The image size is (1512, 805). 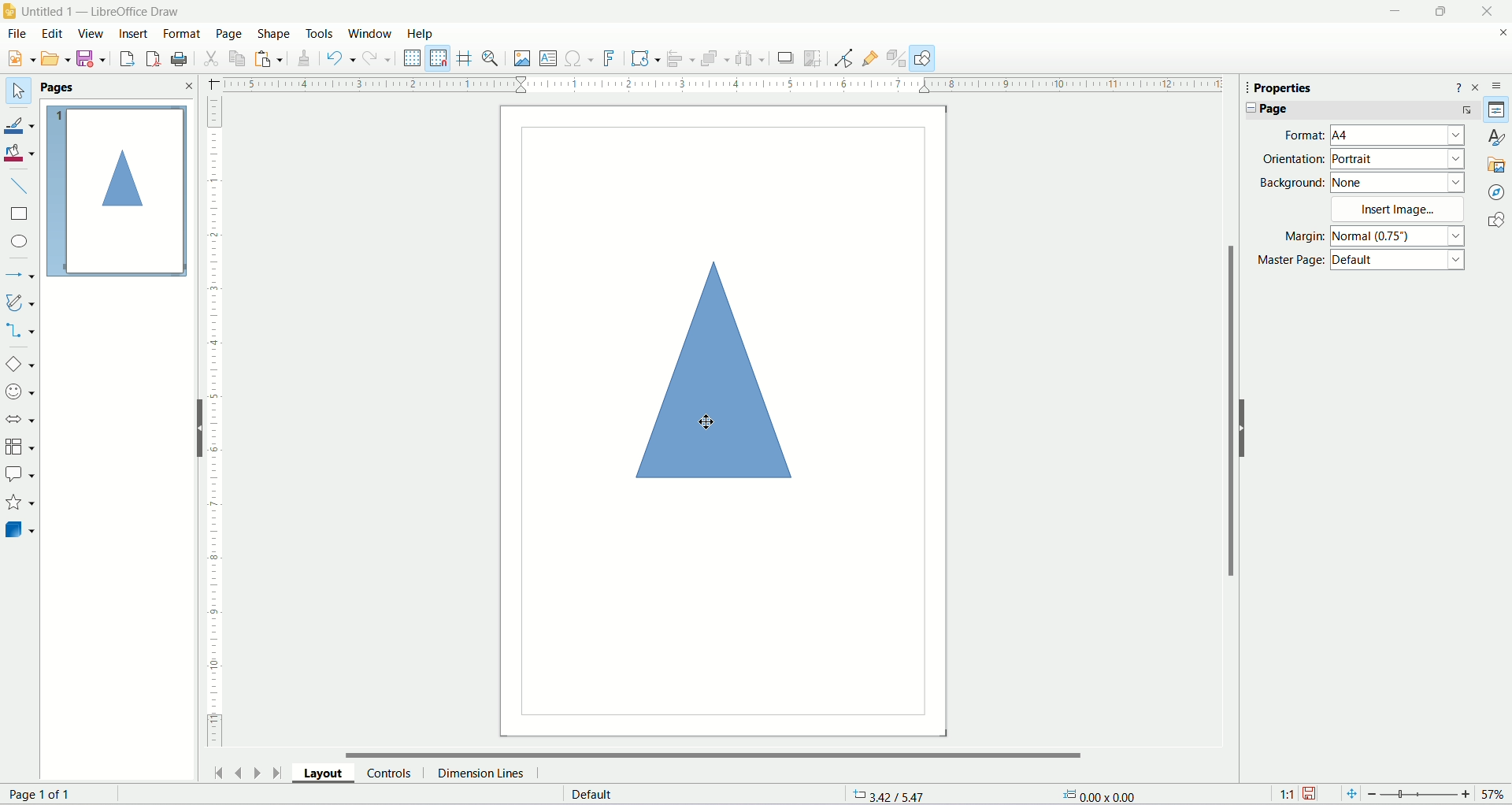 What do you see at coordinates (702, 755) in the screenshot?
I see `Horizontal Scrollbar` at bounding box center [702, 755].